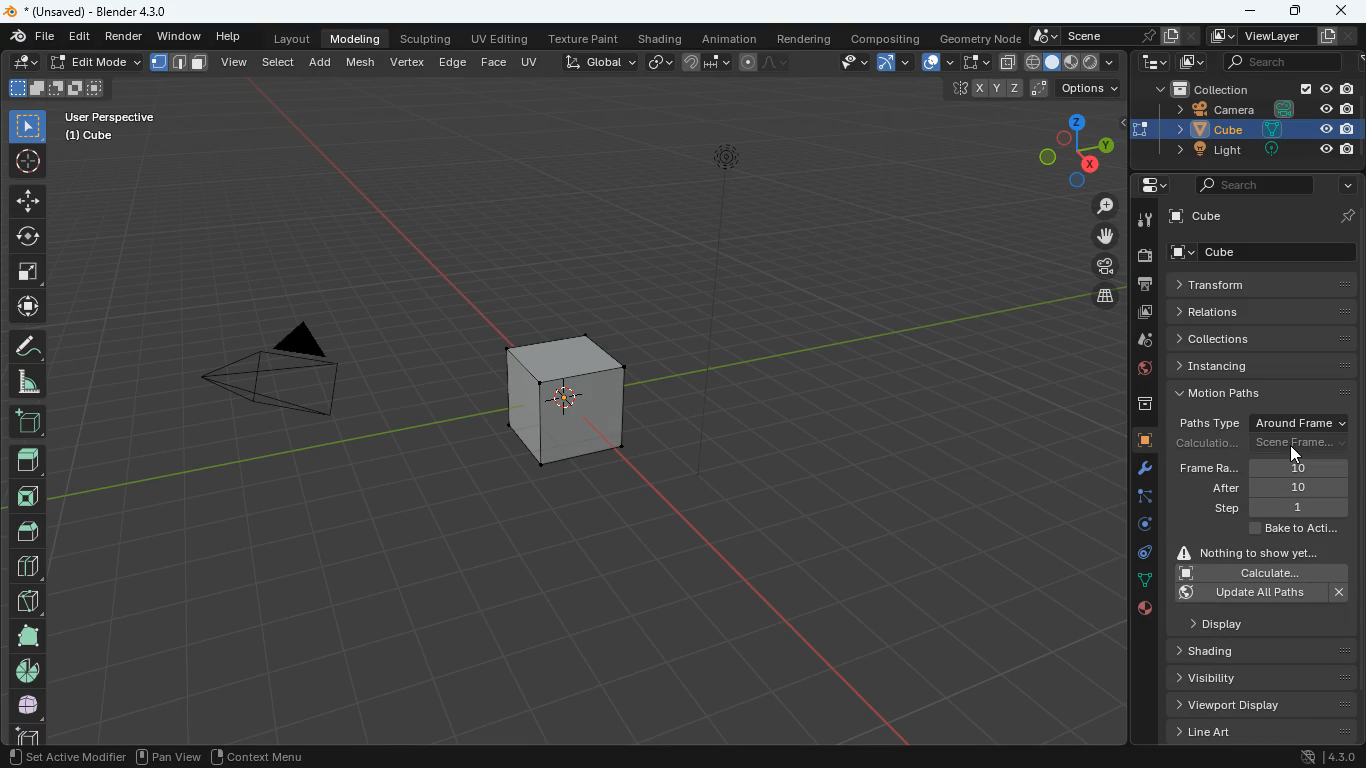  What do you see at coordinates (24, 734) in the screenshot?
I see `cuboid` at bounding box center [24, 734].